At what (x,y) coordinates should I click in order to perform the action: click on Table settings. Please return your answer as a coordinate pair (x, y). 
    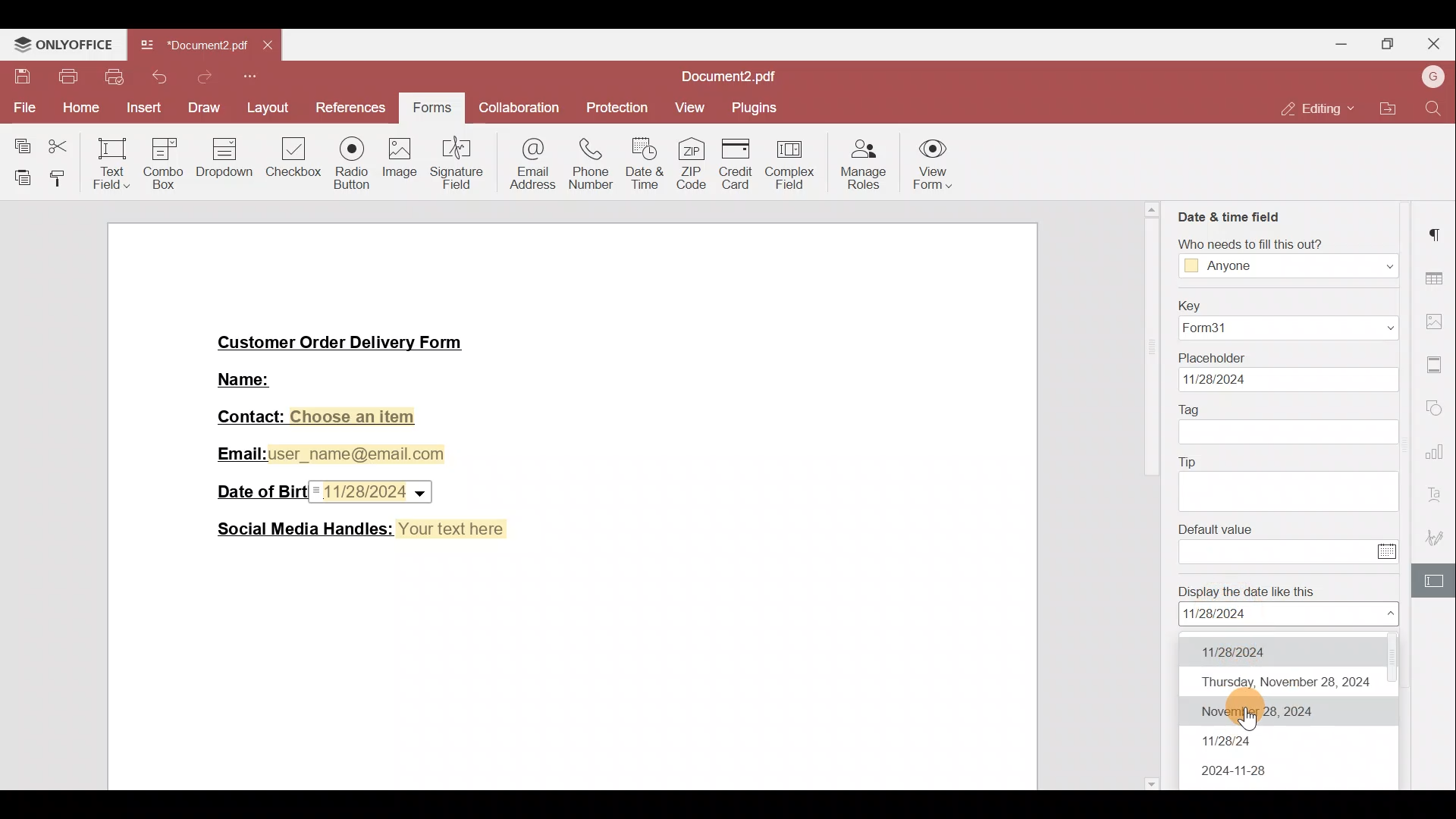
    Looking at the image, I should click on (1438, 279).